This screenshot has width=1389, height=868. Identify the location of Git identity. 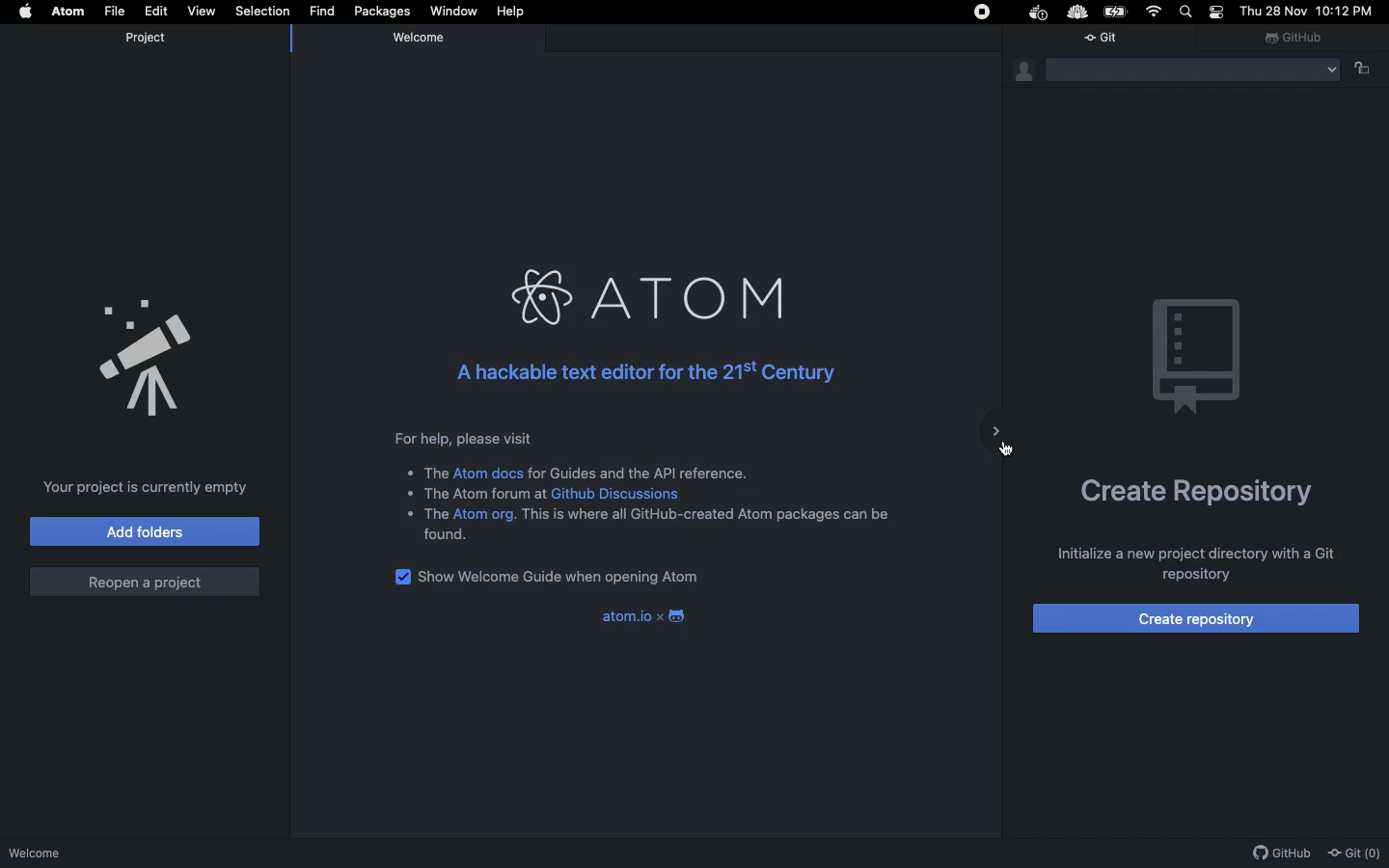
(1022, 72).